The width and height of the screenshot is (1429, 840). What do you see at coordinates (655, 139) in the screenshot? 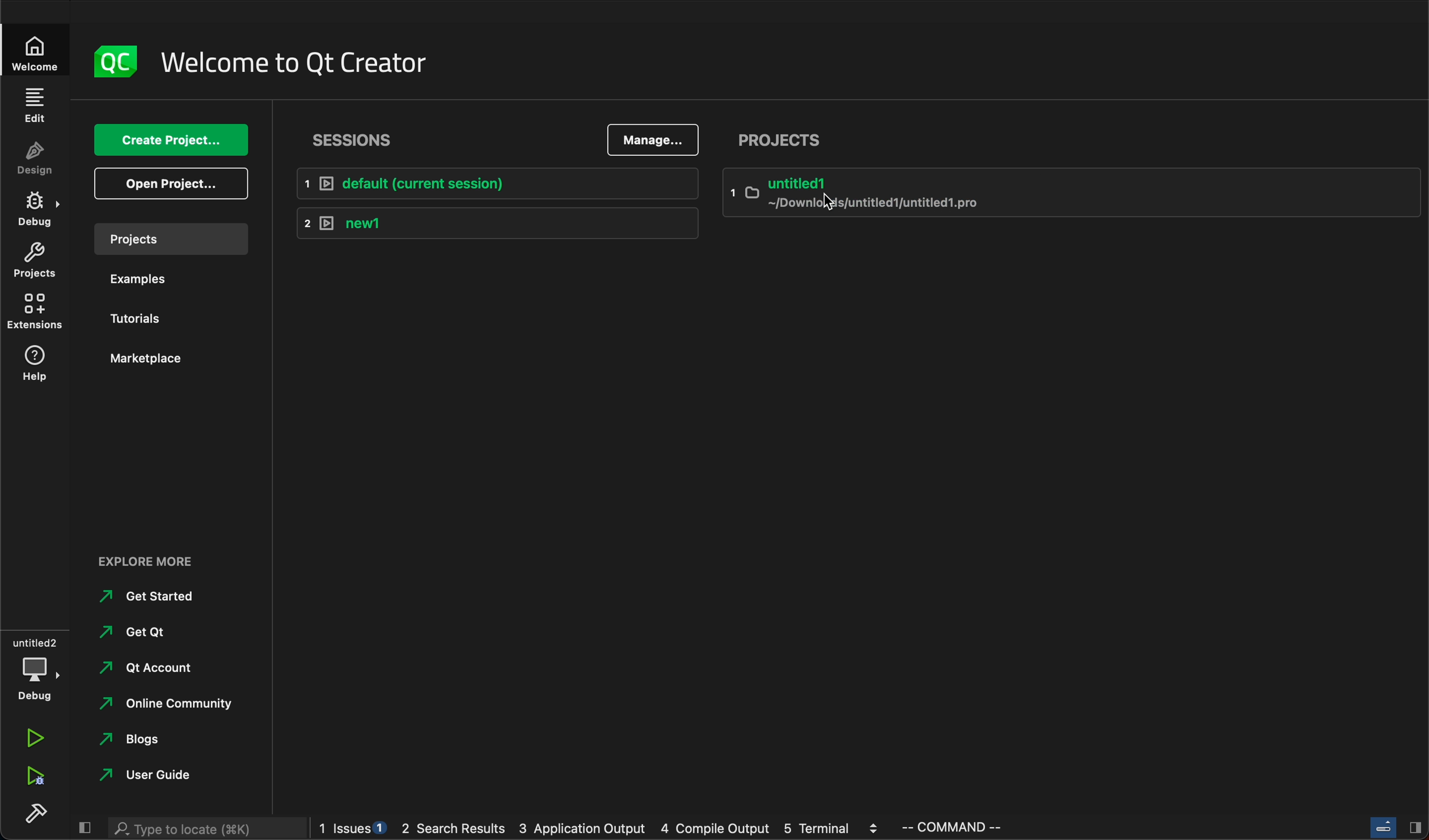
I see `manage` at bounding box center [655, 139].